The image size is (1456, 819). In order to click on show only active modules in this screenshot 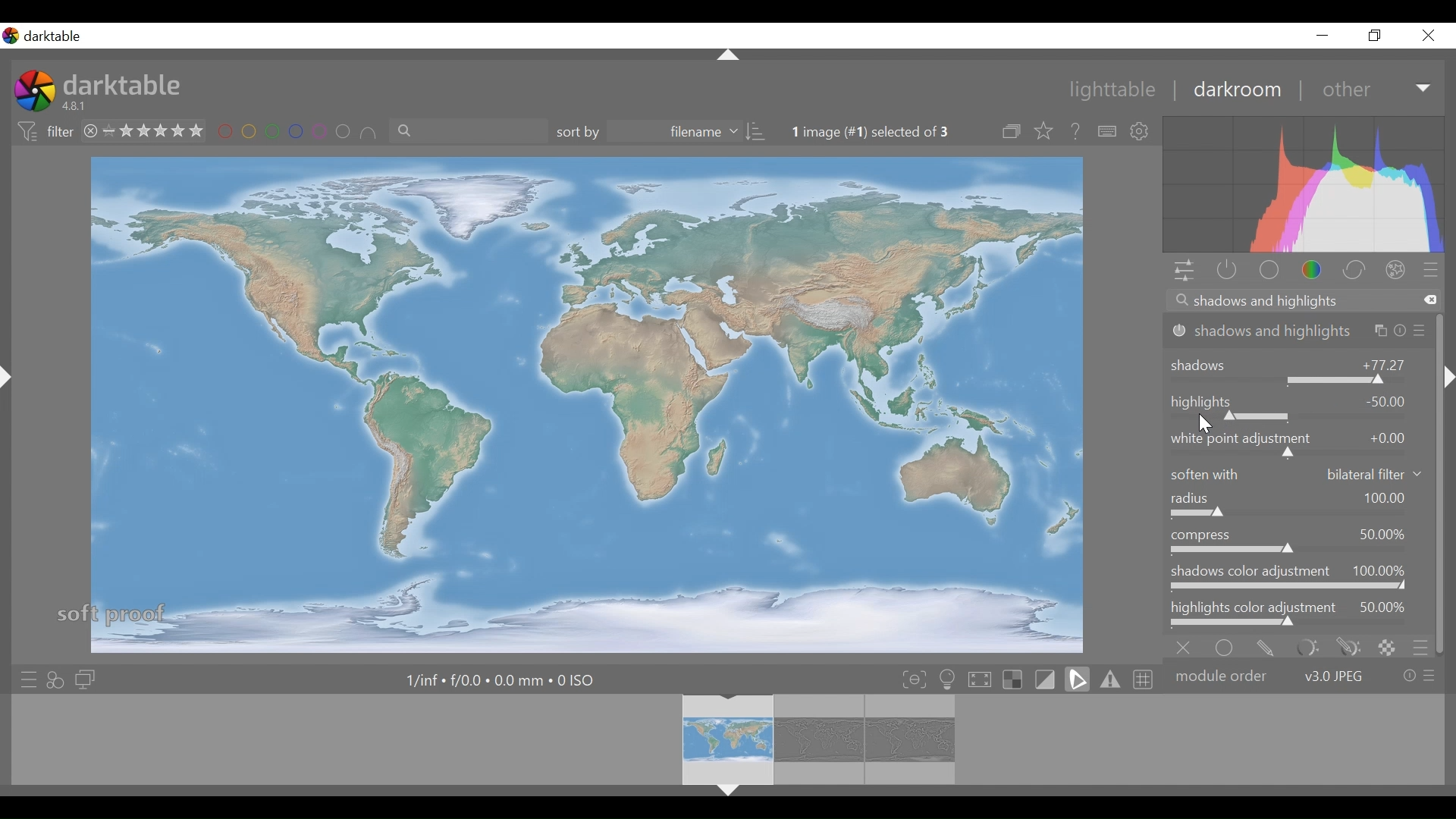, I will do `click(1226, 271)`.